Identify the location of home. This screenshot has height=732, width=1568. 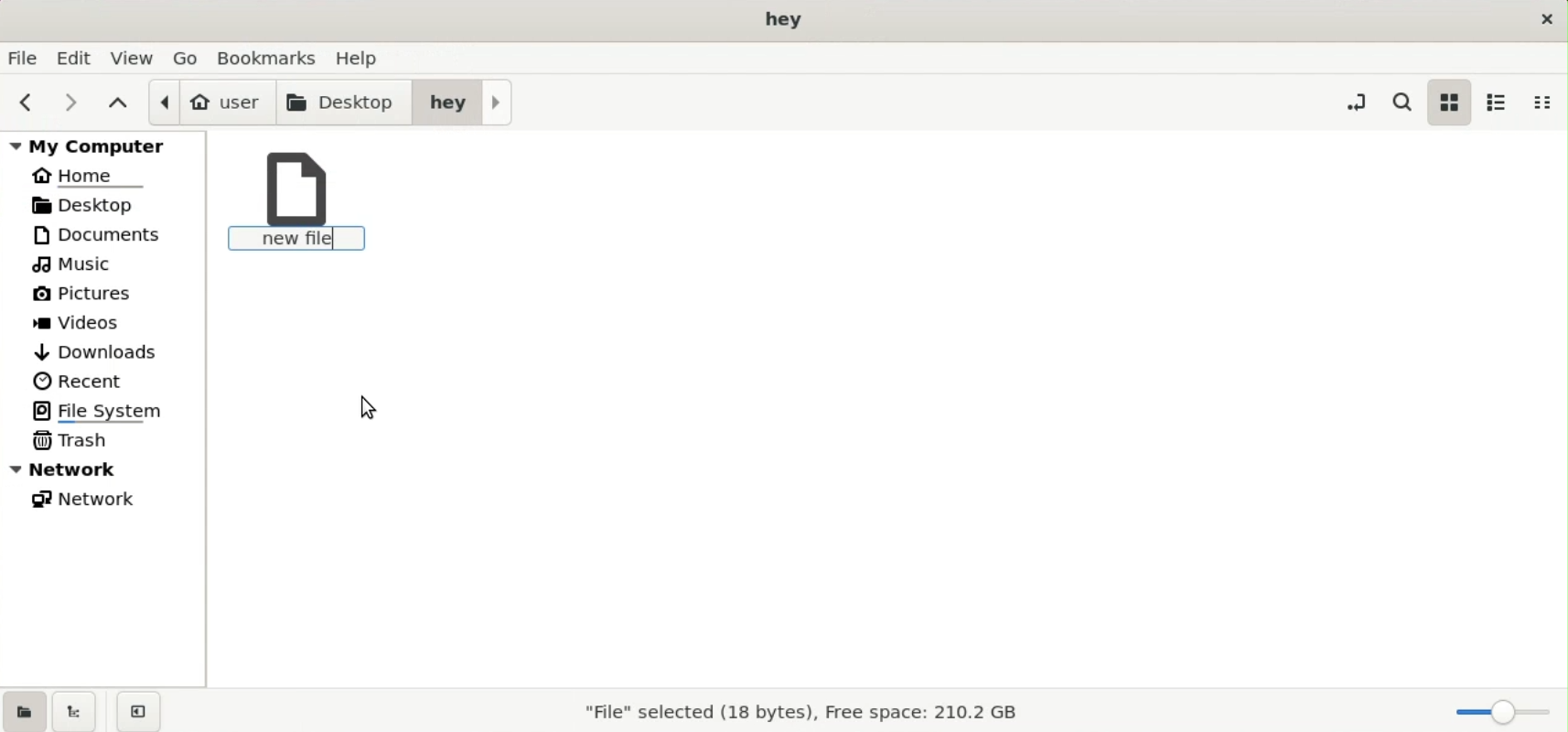
(91, 174).